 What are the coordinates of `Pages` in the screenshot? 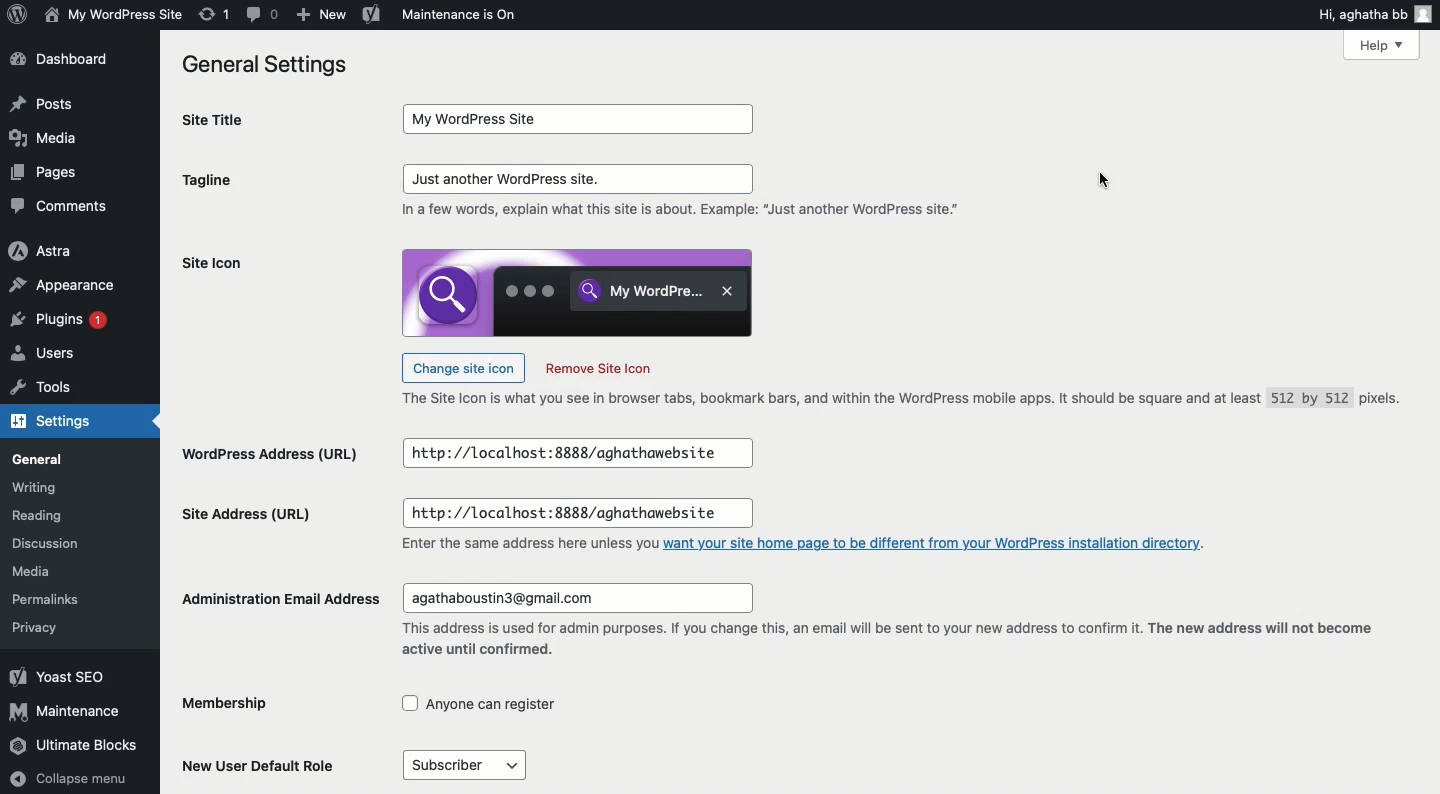 It's located at (49, 172).